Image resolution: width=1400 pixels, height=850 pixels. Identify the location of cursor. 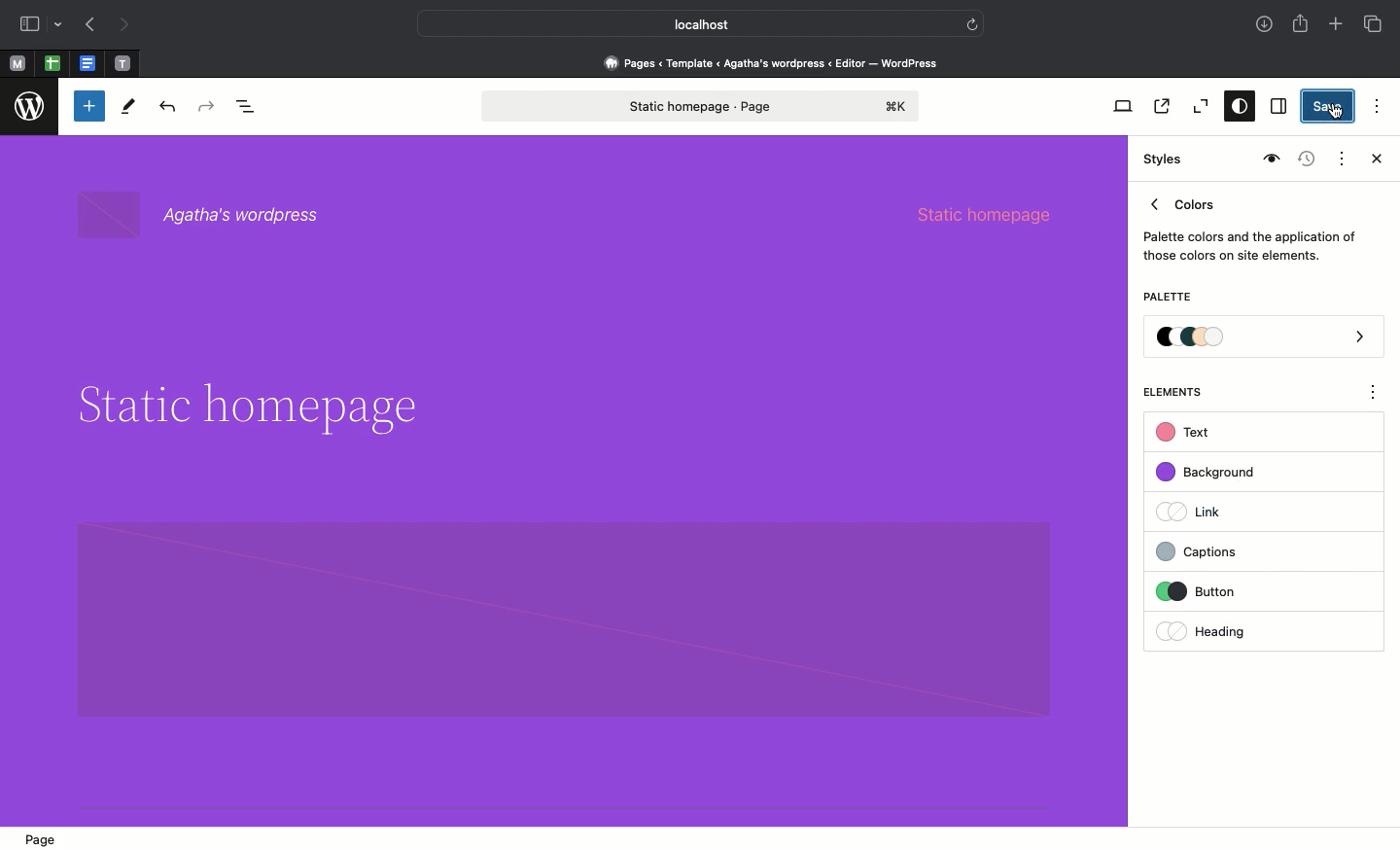
(1337, 111).